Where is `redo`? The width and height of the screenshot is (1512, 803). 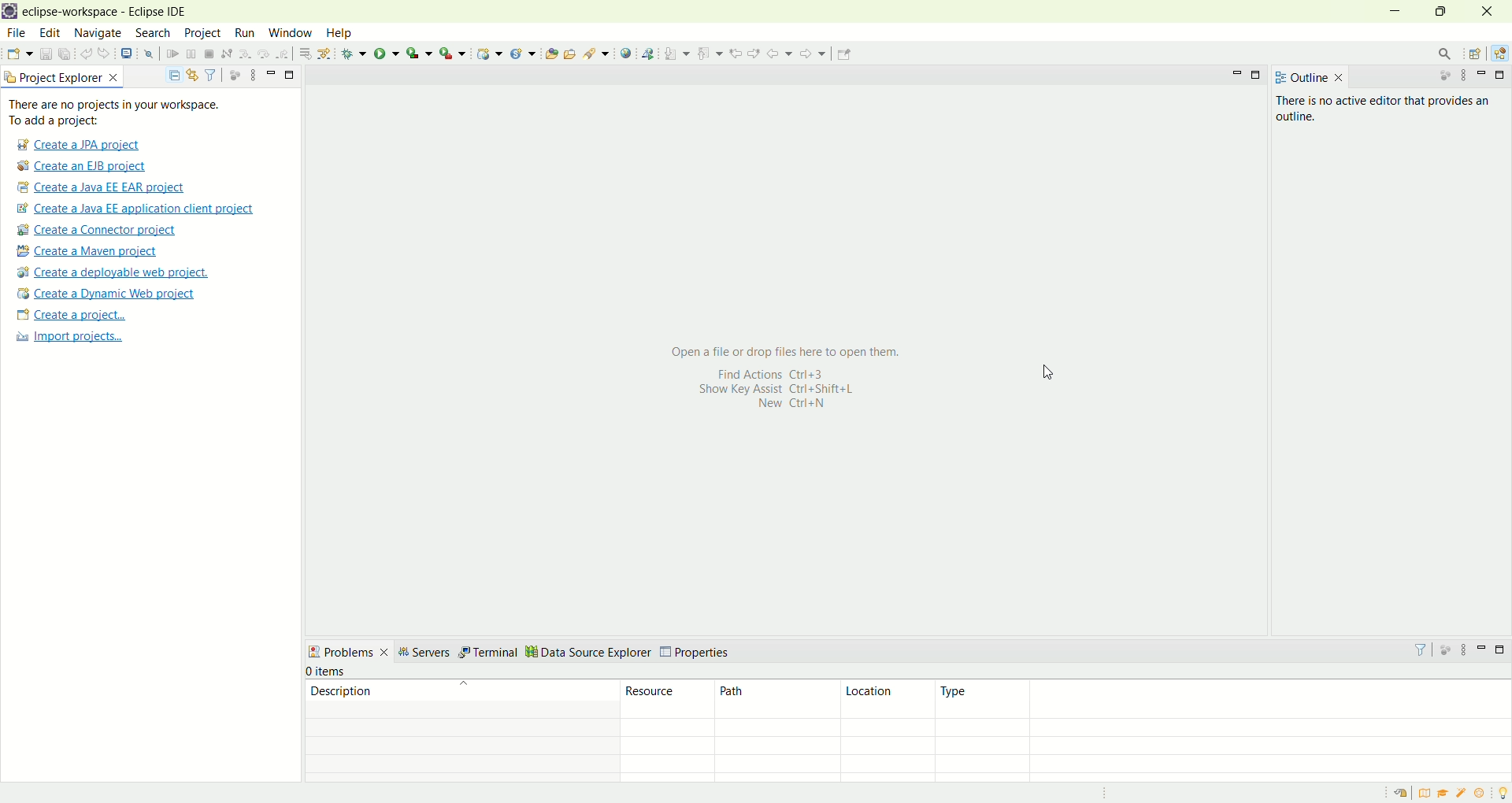
redo is located at coordinates (104, 53).